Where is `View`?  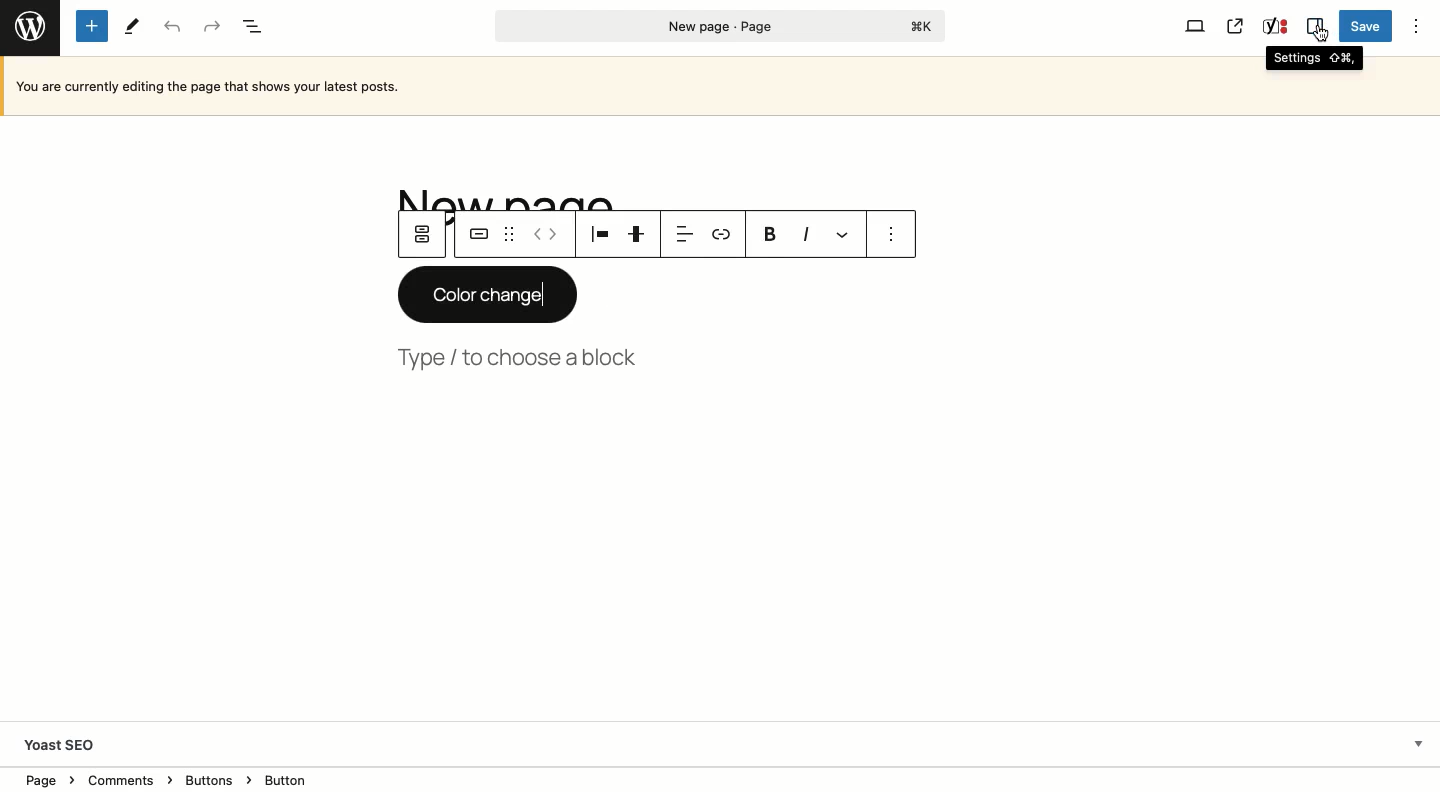 View is located at coordinates (1195, 26).